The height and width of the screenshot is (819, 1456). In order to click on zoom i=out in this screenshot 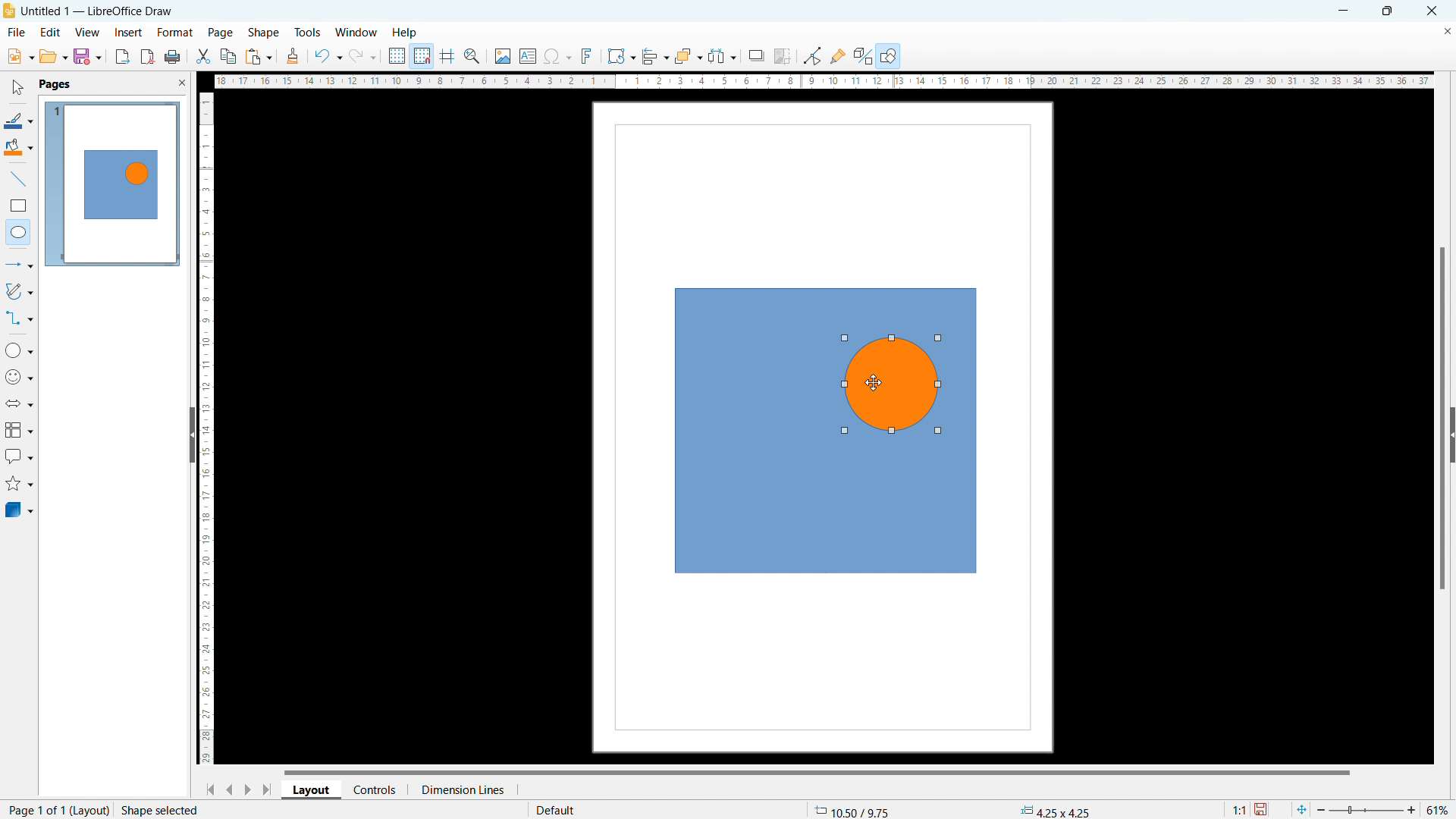, I will do `click(1323, 808)`.